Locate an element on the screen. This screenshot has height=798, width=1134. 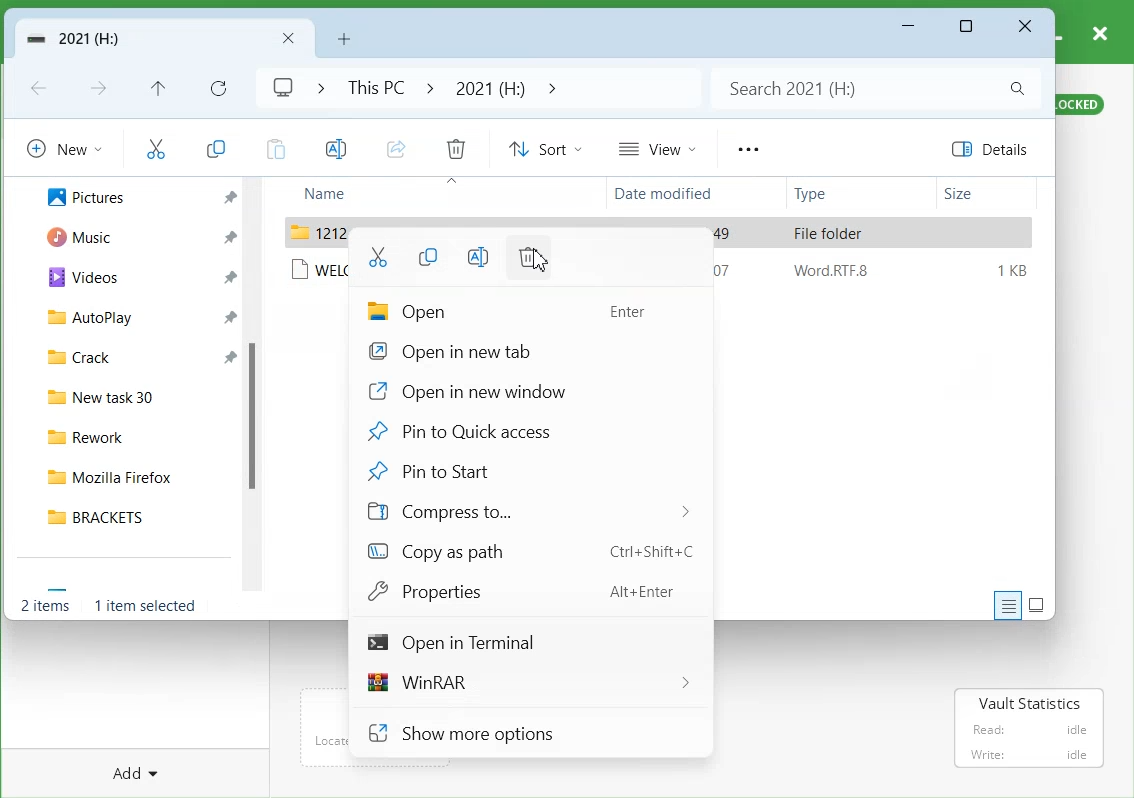
BRACKETS is located at coordinates (135, 516).